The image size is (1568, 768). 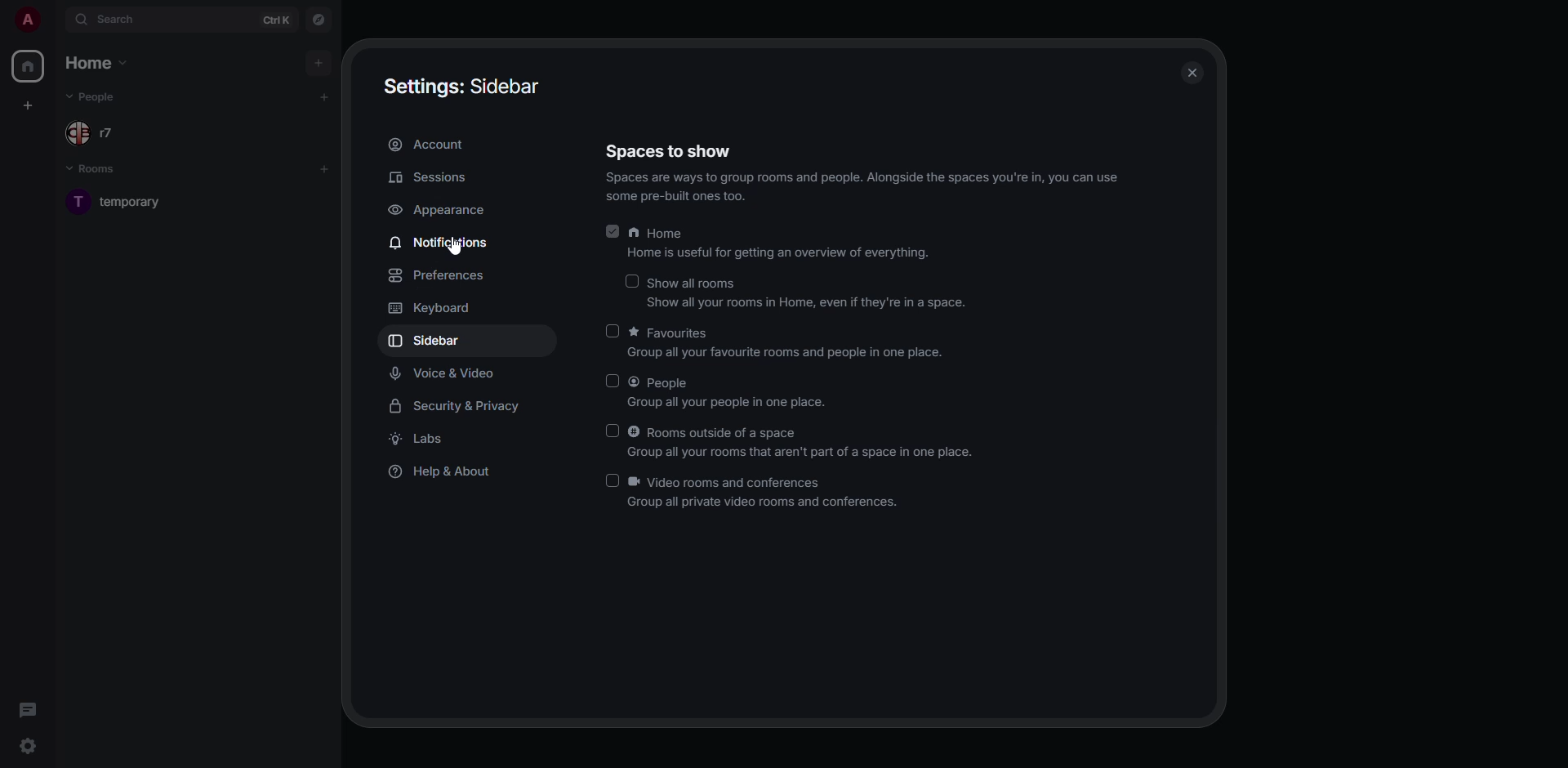 I want to click on profile, so click(x=24, y=20).